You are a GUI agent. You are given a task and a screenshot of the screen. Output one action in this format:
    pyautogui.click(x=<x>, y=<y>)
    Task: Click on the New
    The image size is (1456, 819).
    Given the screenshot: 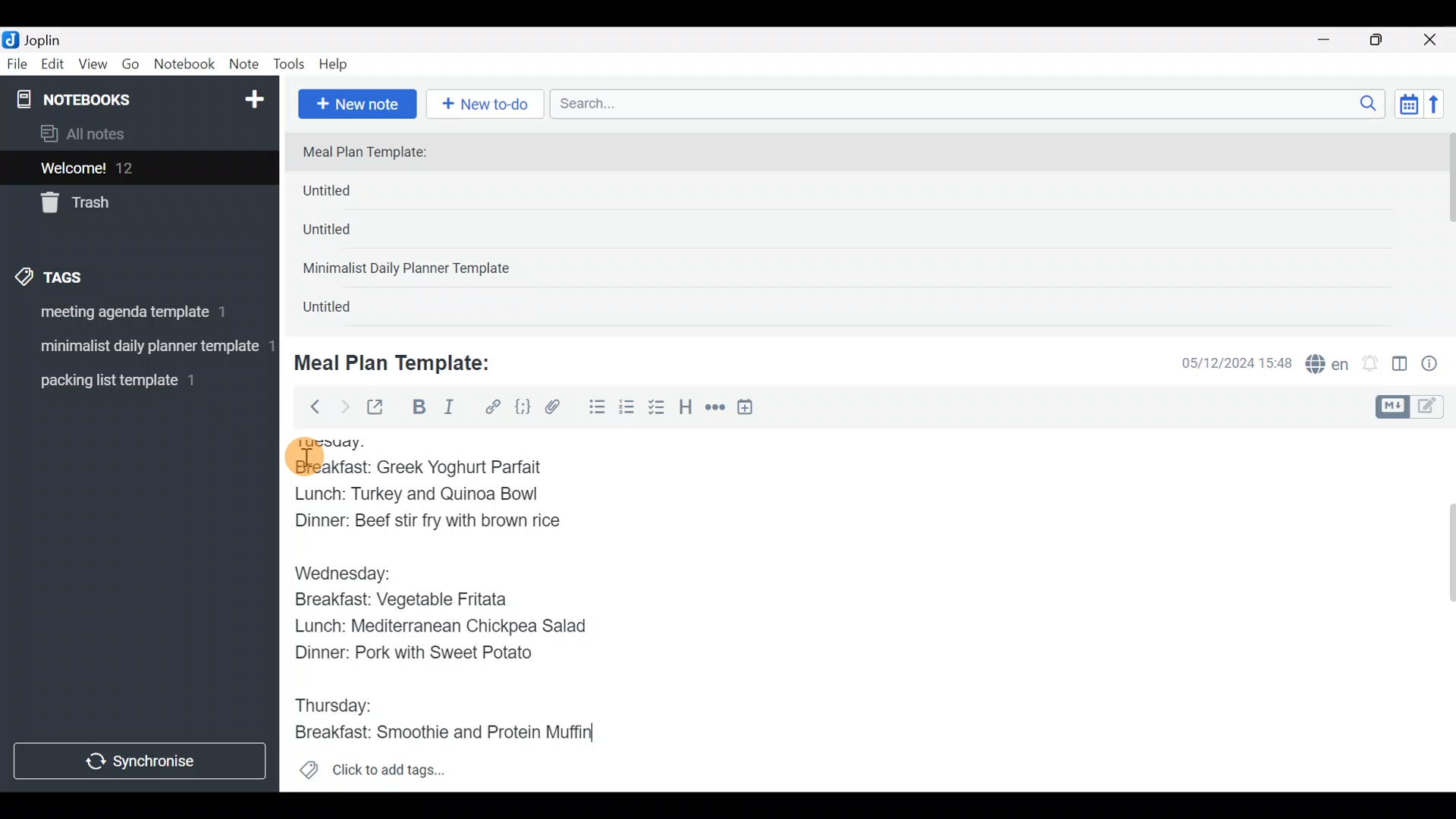 What is the action you would take?
    pyautogui.click(x=253, y=96)
    